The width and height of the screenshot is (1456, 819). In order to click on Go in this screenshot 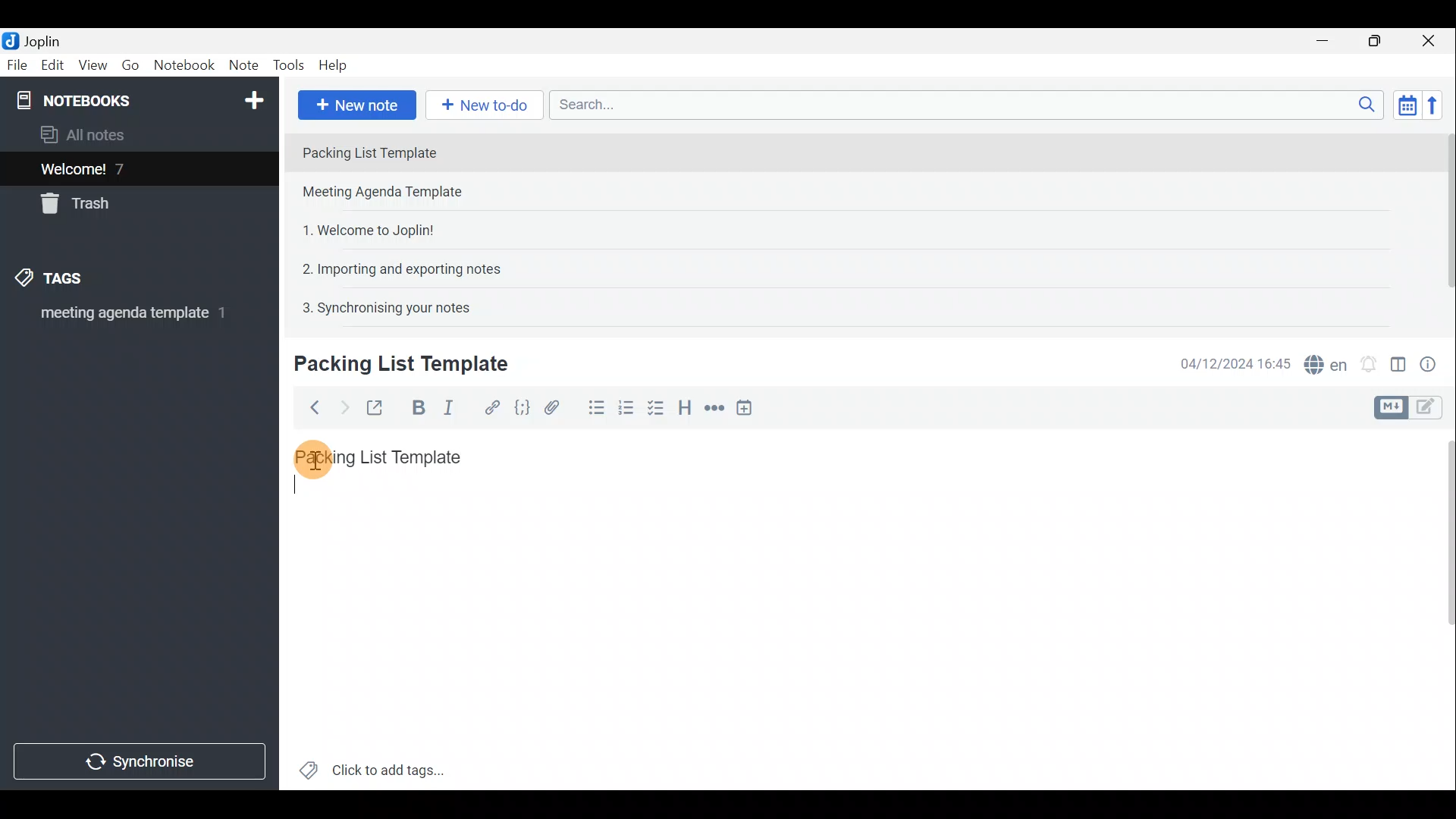, I will do `click(131, 65)`.